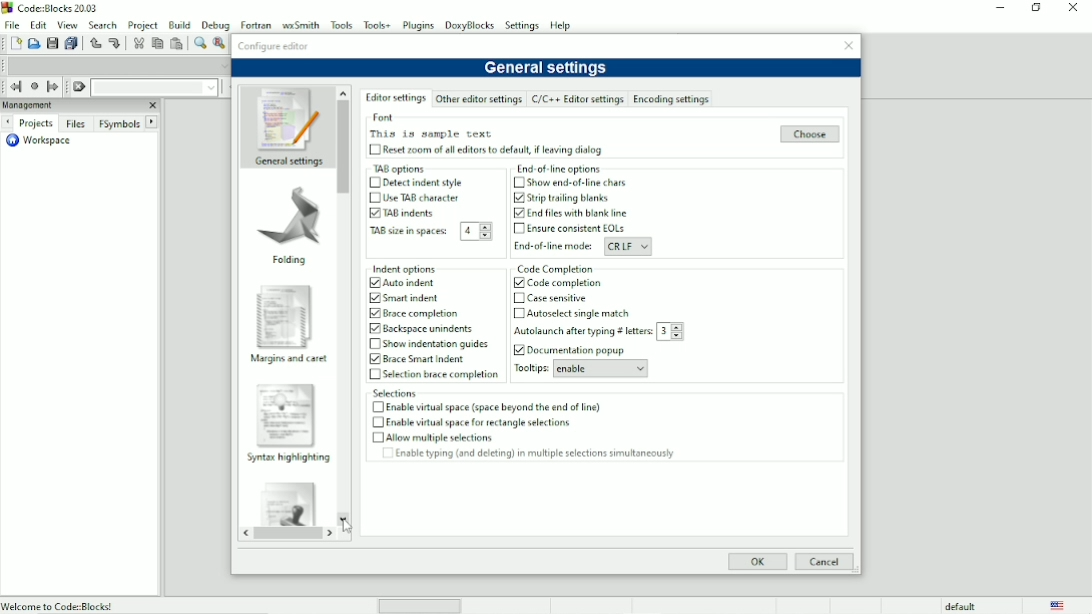  What do you see at coordinates (38, 25) in the screenshot?
I see `Edit` at bounding box center [38, 25].